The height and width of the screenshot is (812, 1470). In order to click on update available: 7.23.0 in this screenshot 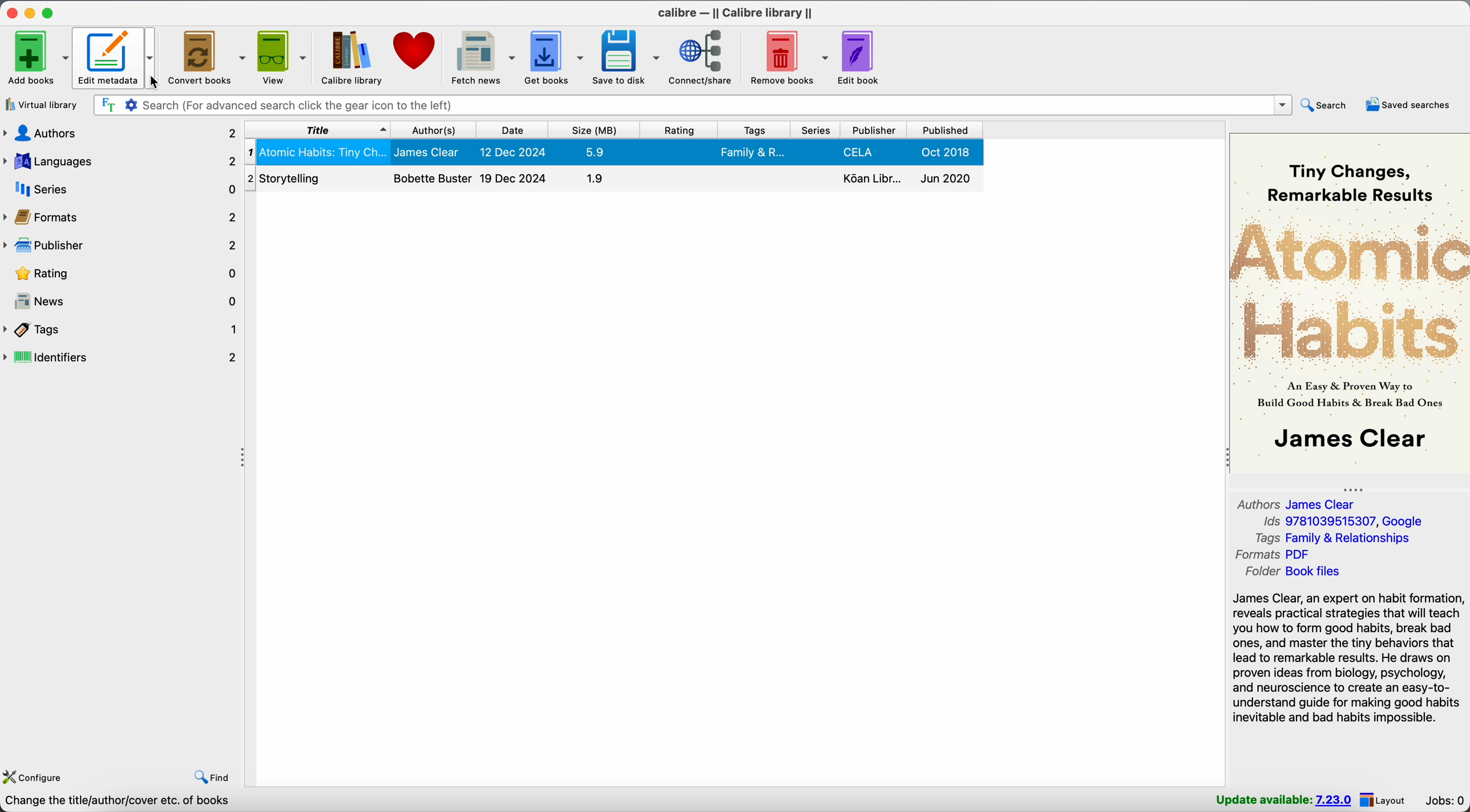, I will do `click(1283, 800)`.